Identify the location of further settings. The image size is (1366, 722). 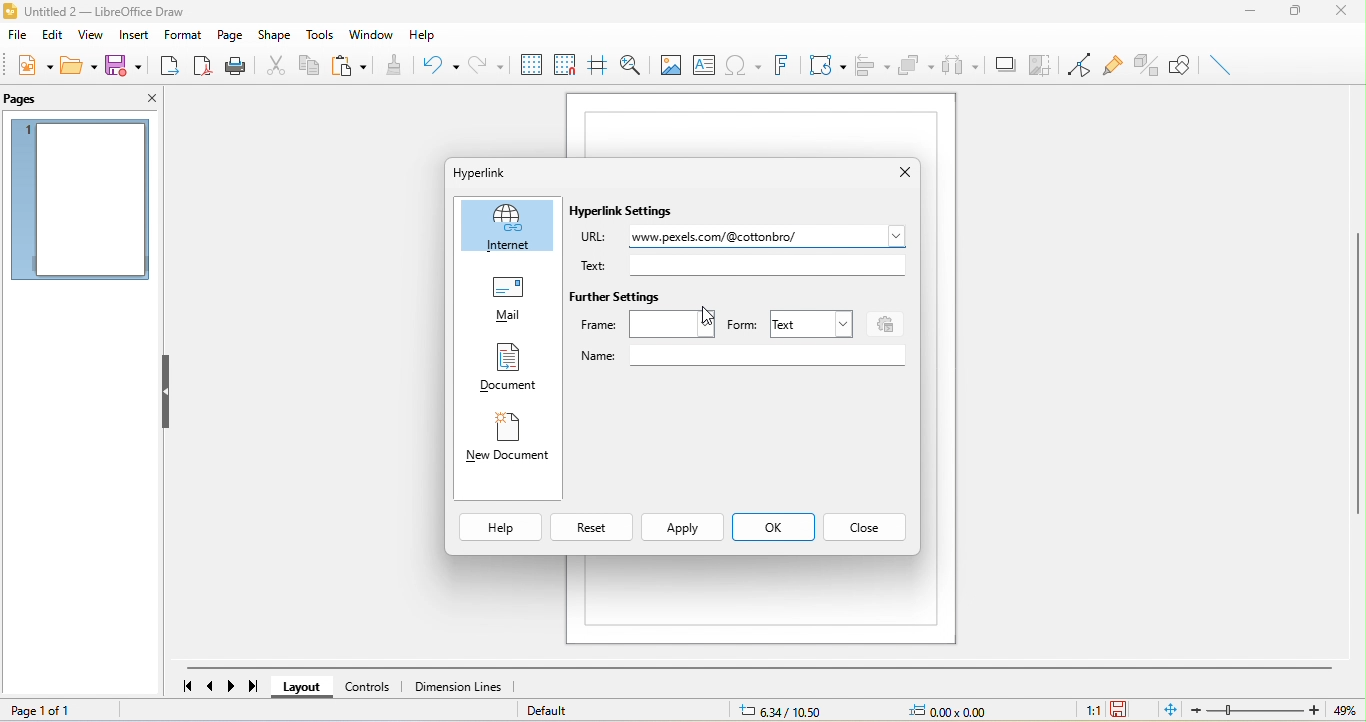
(619, 297).